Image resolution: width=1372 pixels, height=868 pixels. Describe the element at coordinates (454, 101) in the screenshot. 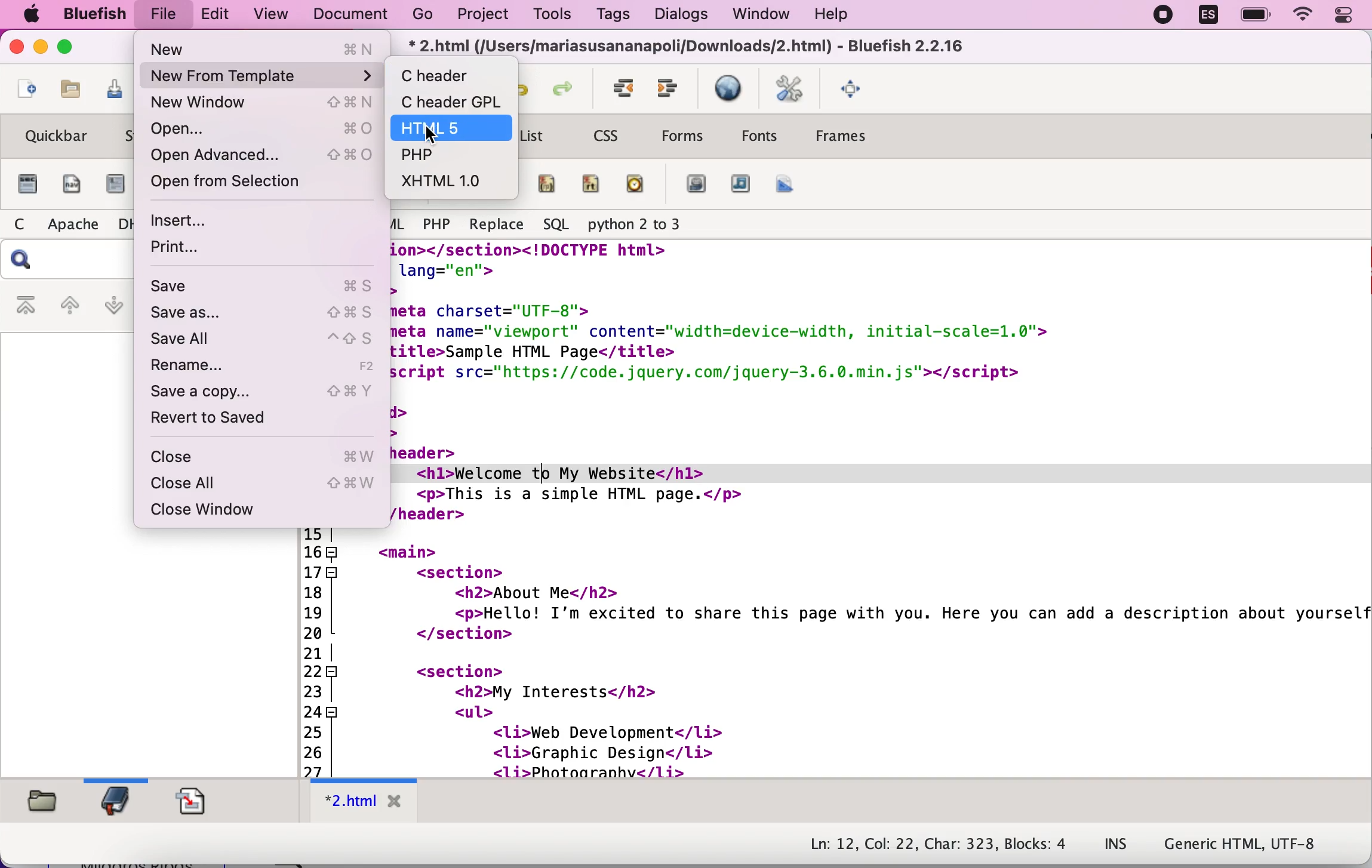

I see ` header gpl` at that location.